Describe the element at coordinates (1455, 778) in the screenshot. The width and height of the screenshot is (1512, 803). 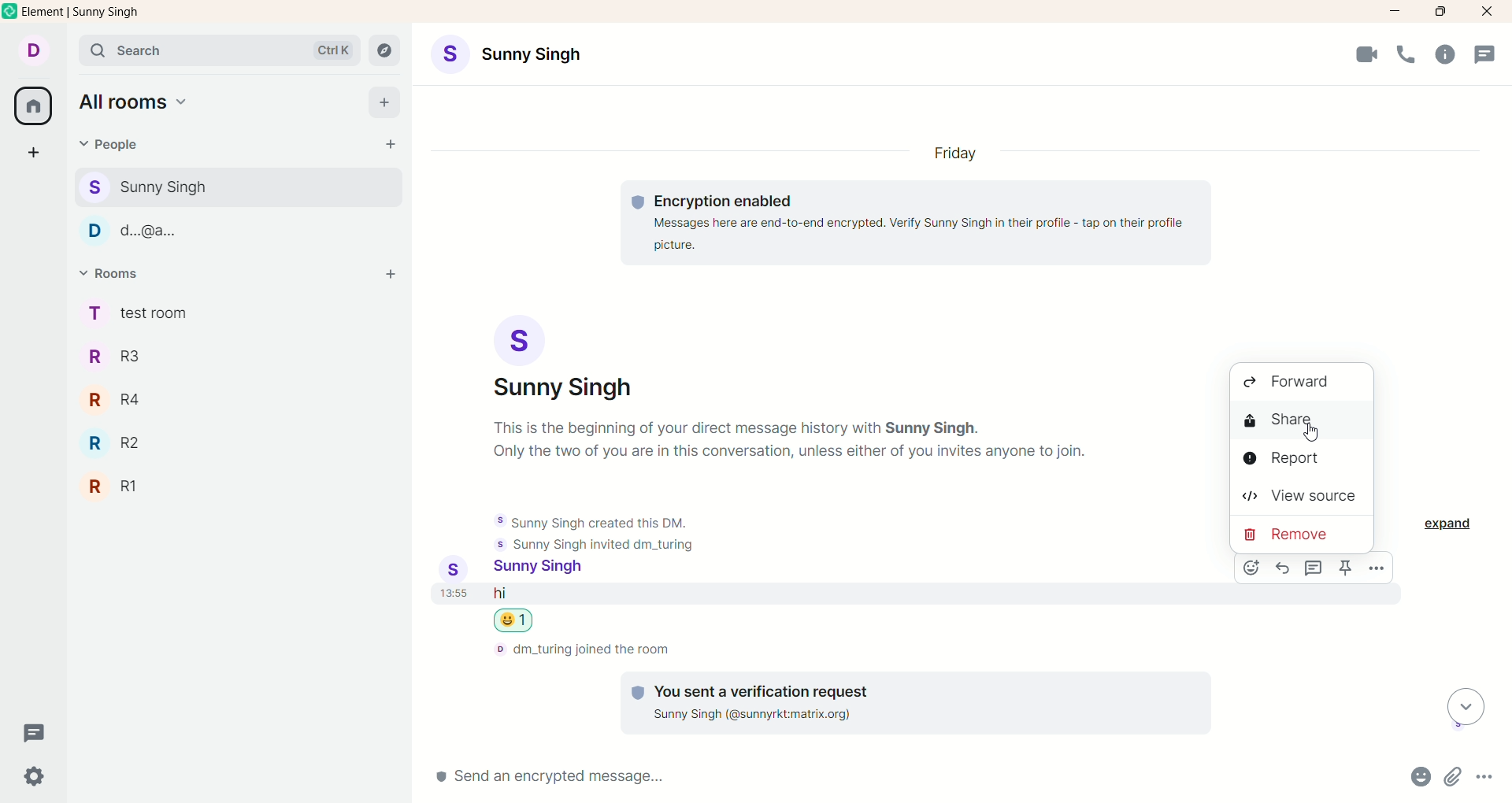
I see `attachments` at that location.